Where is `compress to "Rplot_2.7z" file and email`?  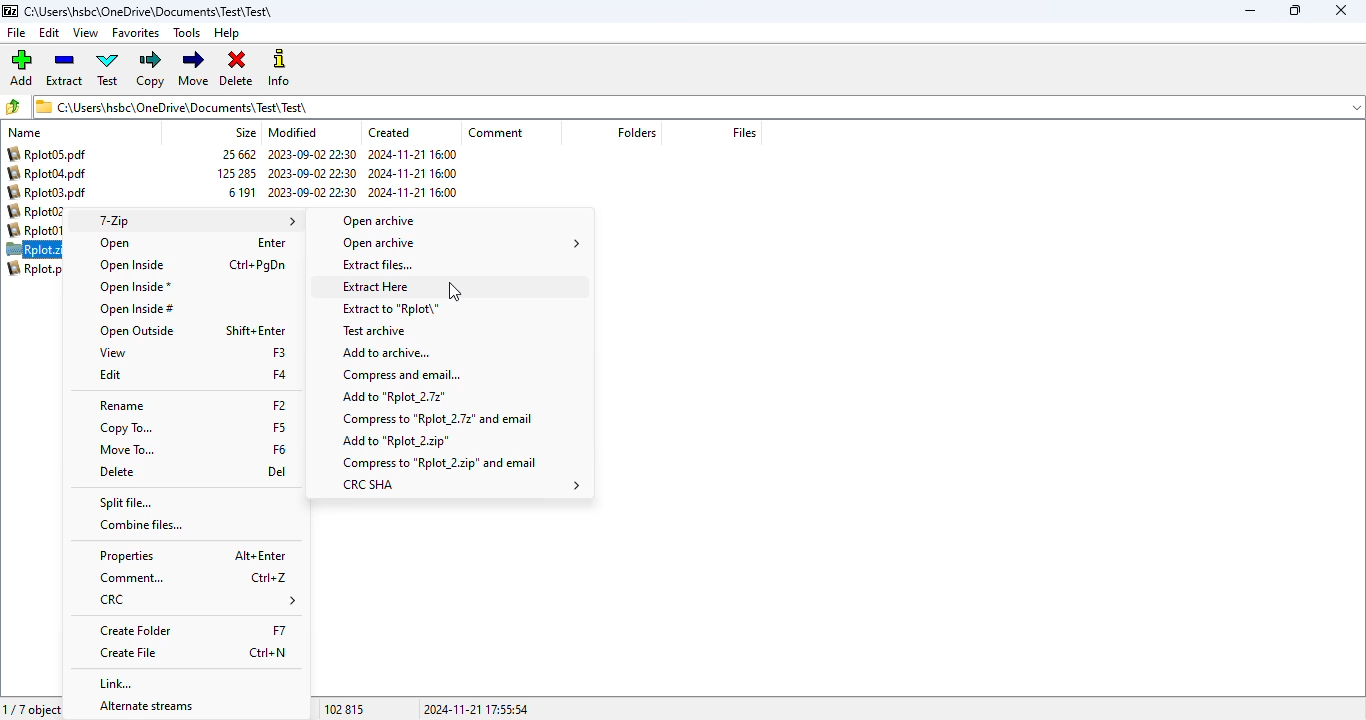
compress to "Rplot_2.7z" file and email is located at coordinates (438, 419).